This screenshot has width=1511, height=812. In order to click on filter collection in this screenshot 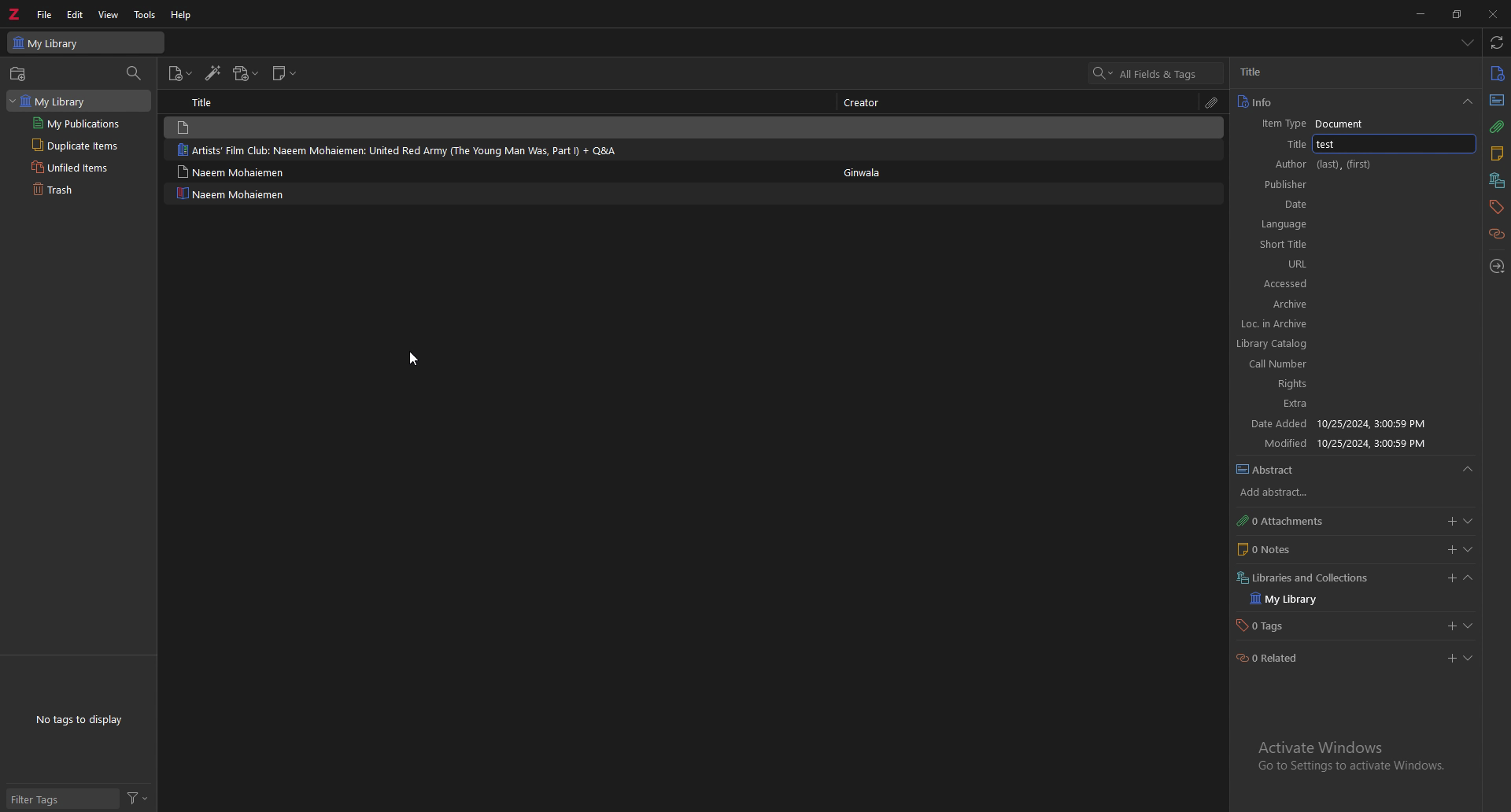, I will do `click(135, 75)`.